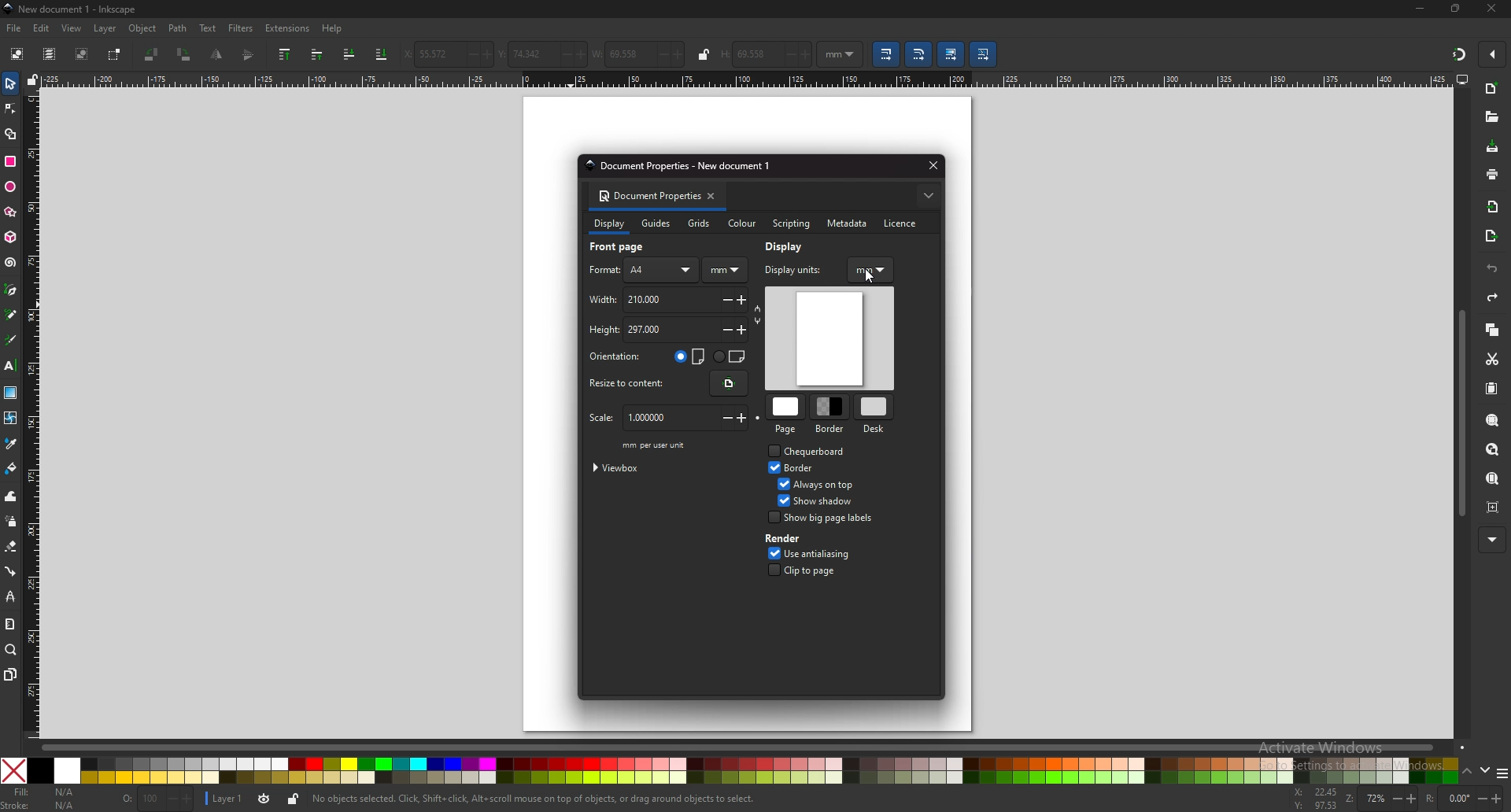  Describe the element at coordinates (291, 800) in the screenshot. I see `unlock` at that location.